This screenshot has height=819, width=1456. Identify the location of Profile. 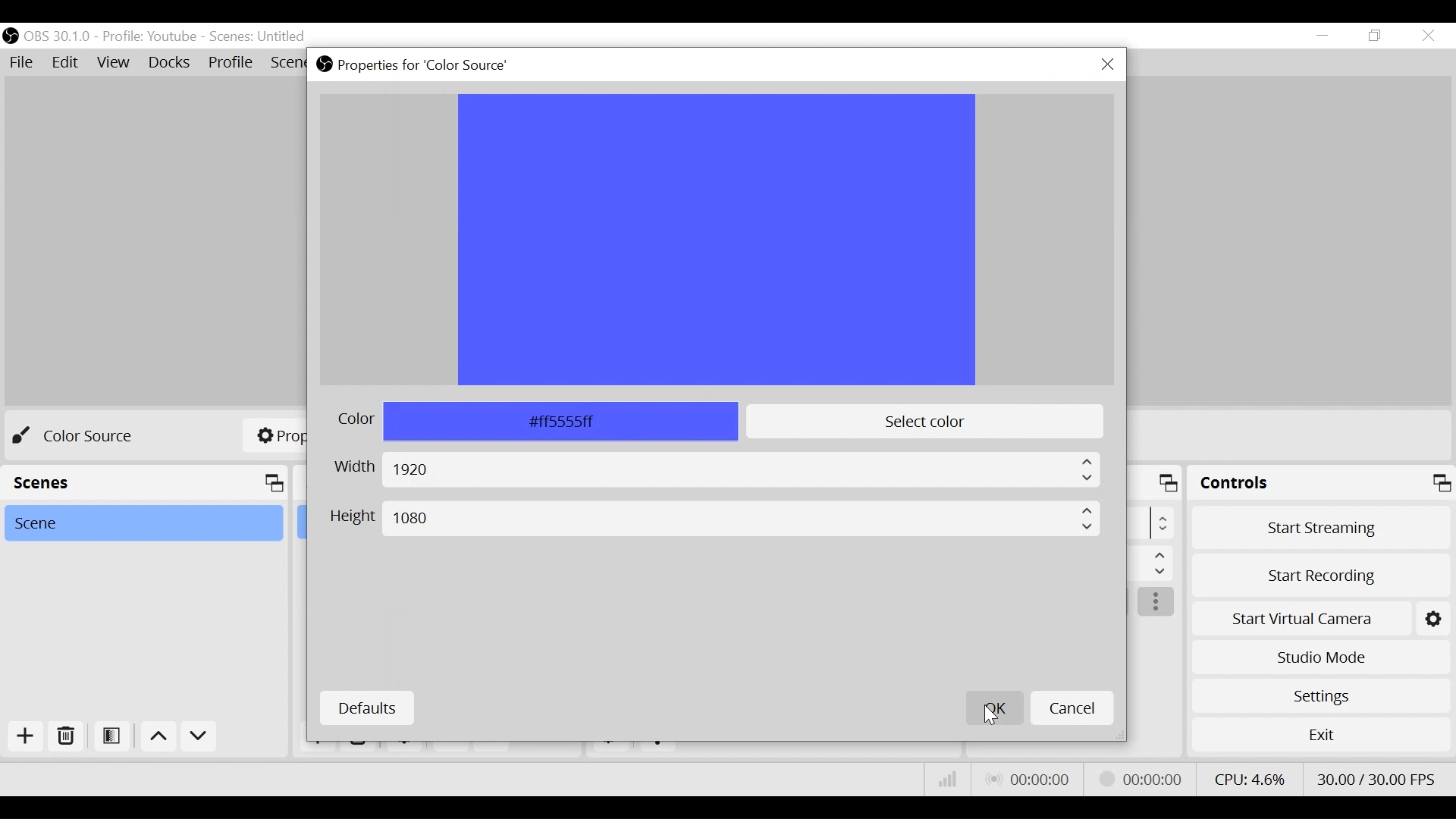
(231, 62).